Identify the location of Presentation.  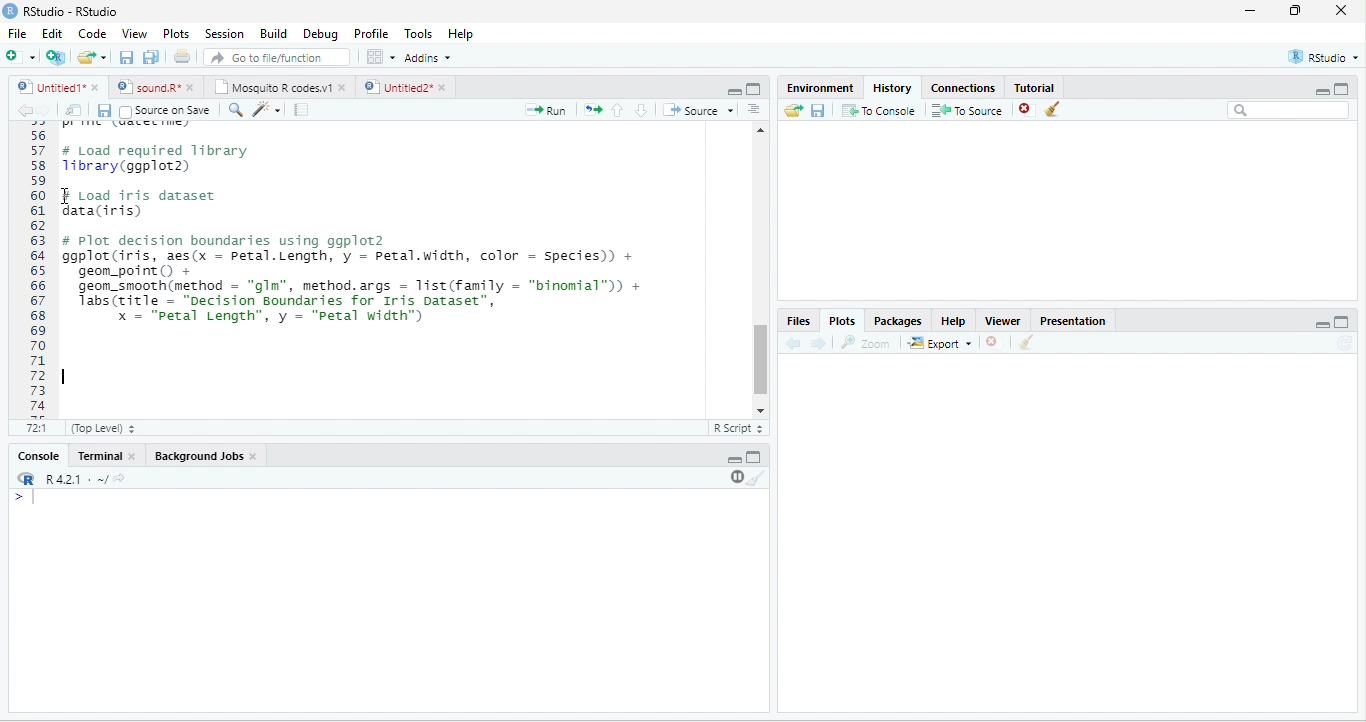
(1074, 321).